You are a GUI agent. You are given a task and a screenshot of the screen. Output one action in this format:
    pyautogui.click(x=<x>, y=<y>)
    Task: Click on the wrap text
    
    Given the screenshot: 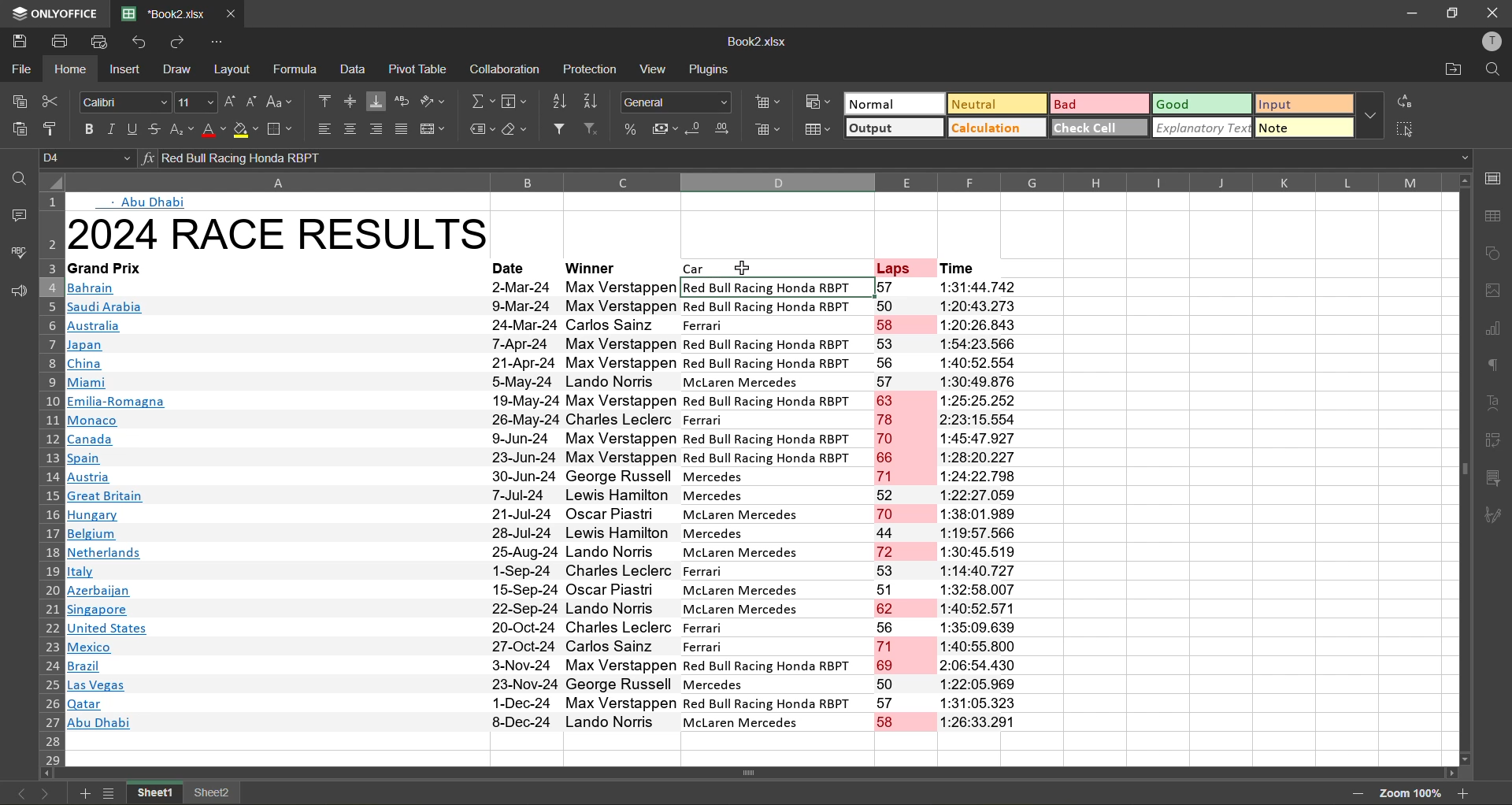 What is the action you would take?
    pyautogui.click(x=400, y=101)
    